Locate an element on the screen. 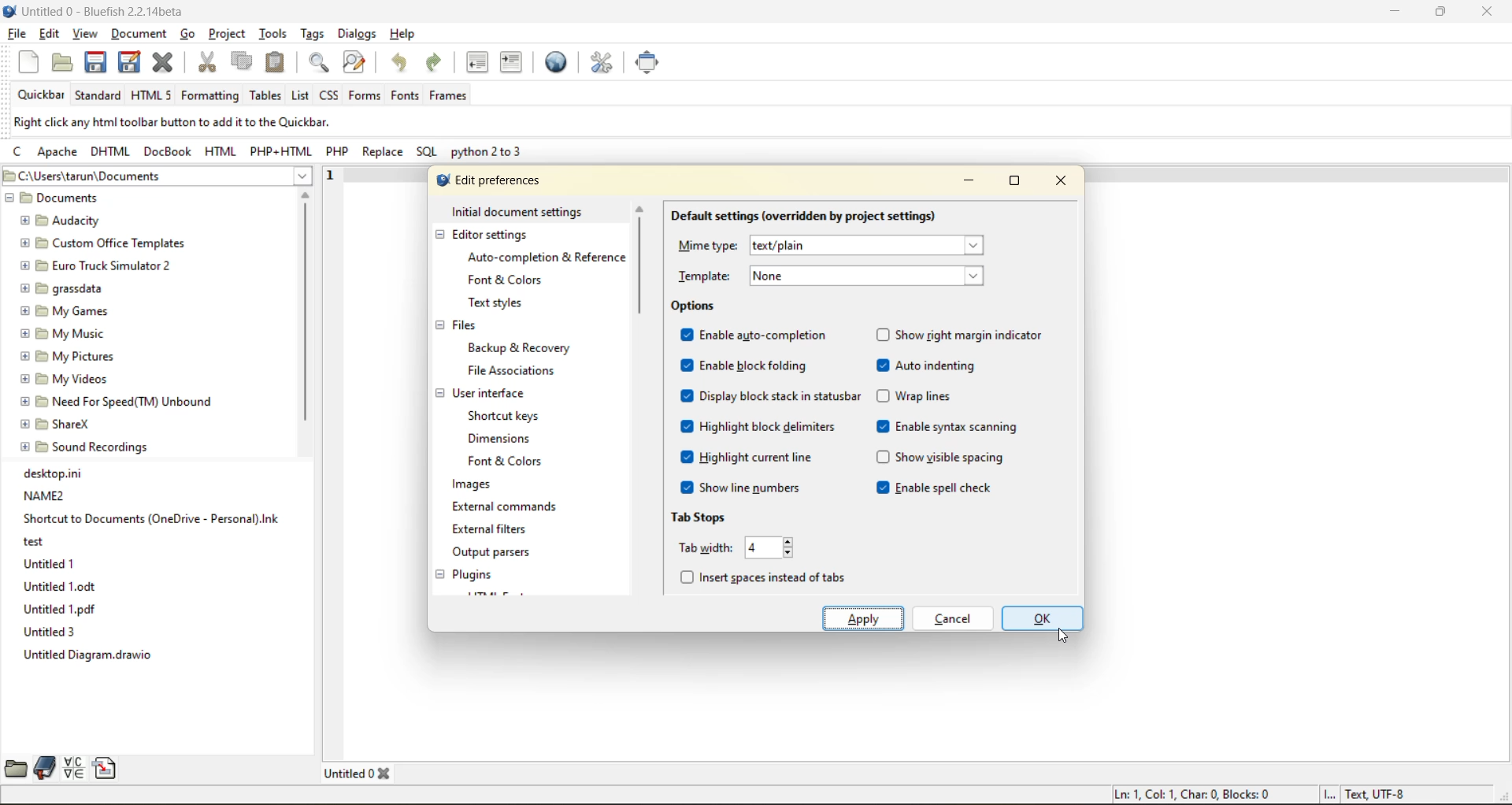 This screenshot has height=805, width=1512. tabs is located at coordinates (361, 772).